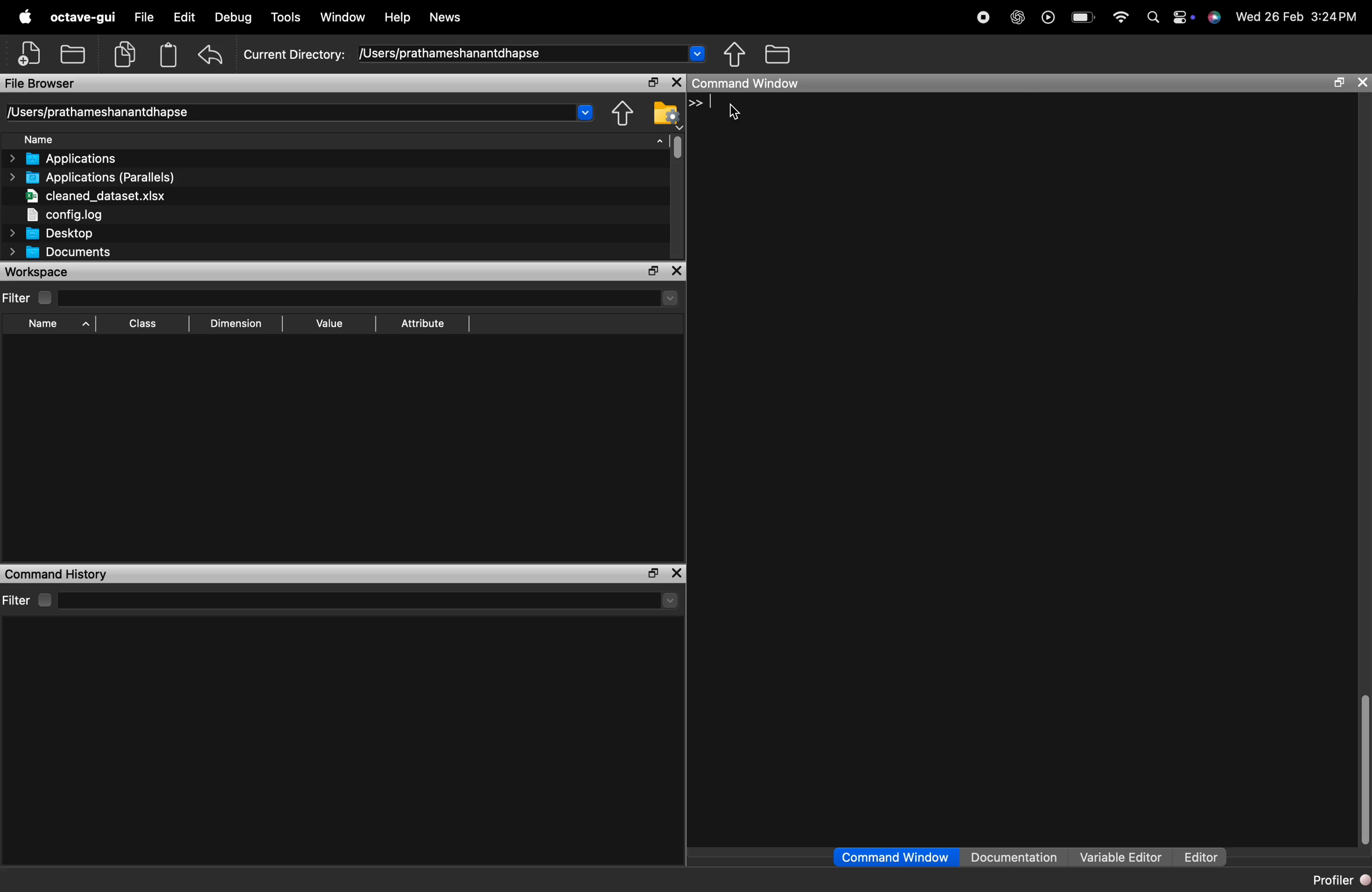 The height and width of the screenshot is (892, 1372). What do you see at coordinates (288, 16) in the screenshot?
I see `Tools` at bounding box center [288, 16].